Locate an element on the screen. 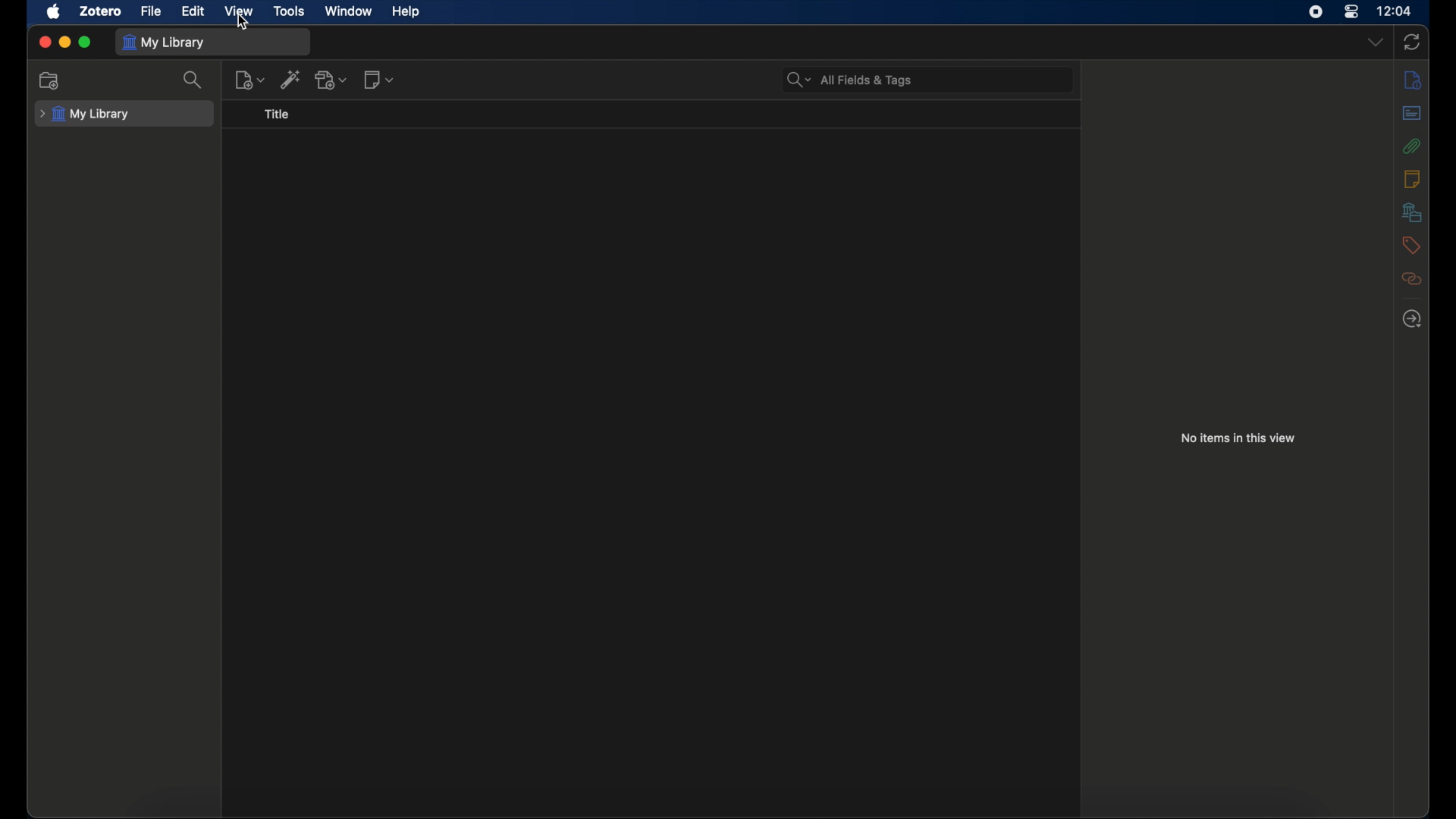 This screenshot has width=1456, height=819. screen recorder is located at coordinates (1316, 12).